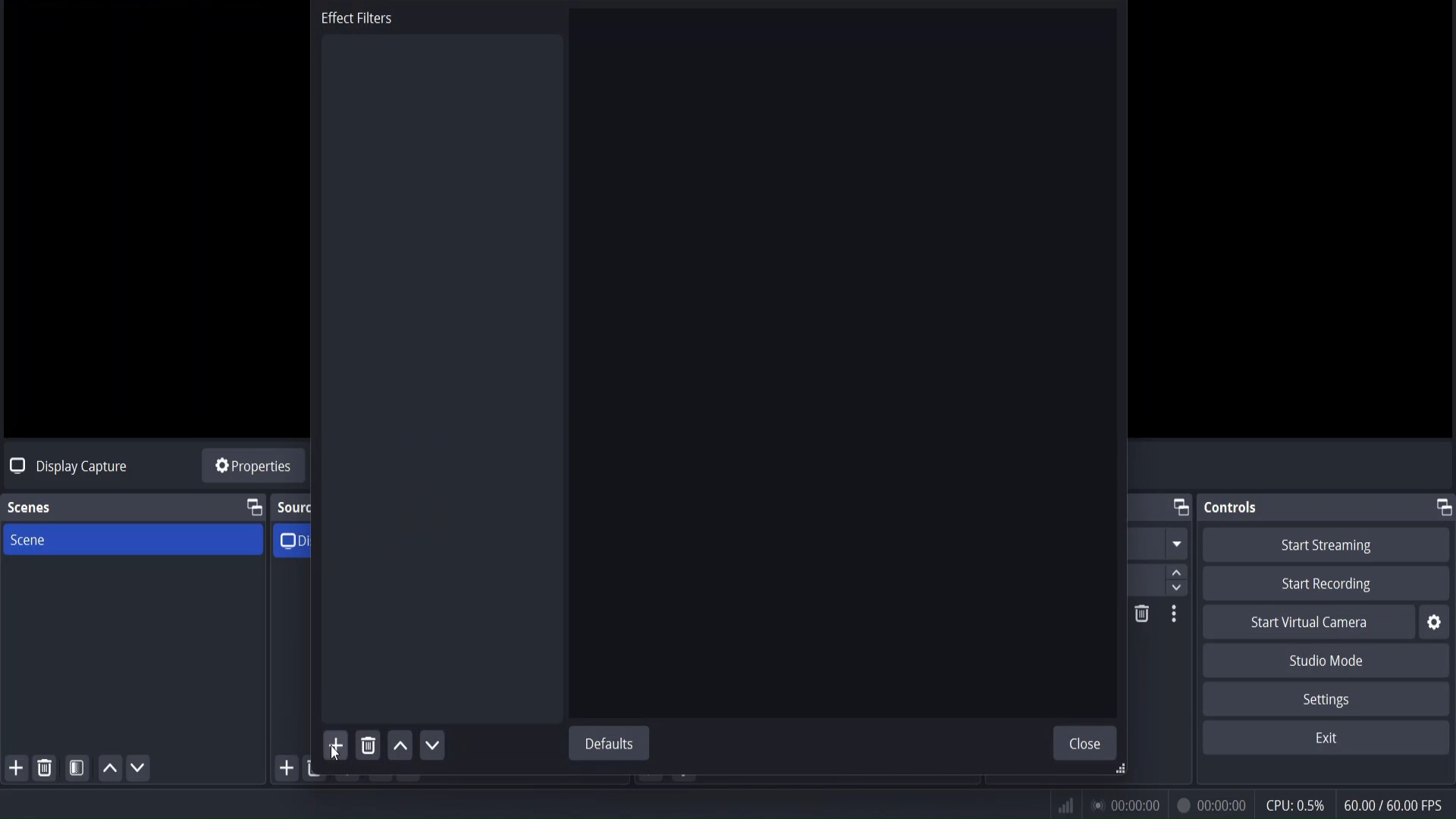 The height and width of the screenshot is (819, 1456). I want to click on start virtual camera, so click(1310, 623).